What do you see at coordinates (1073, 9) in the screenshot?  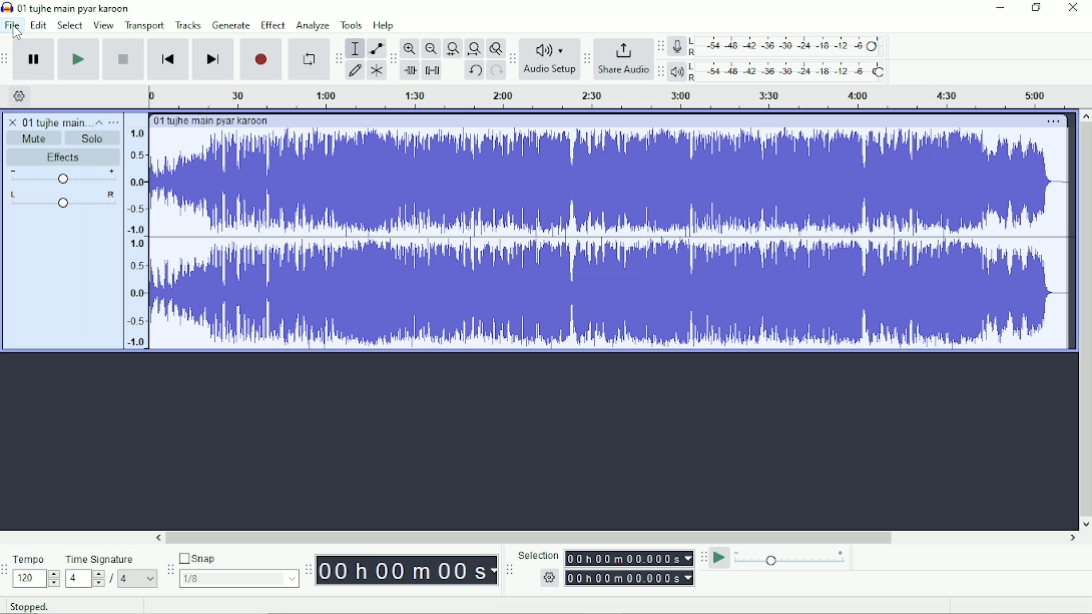 I see `Close` at bounding box center [1073, 9].